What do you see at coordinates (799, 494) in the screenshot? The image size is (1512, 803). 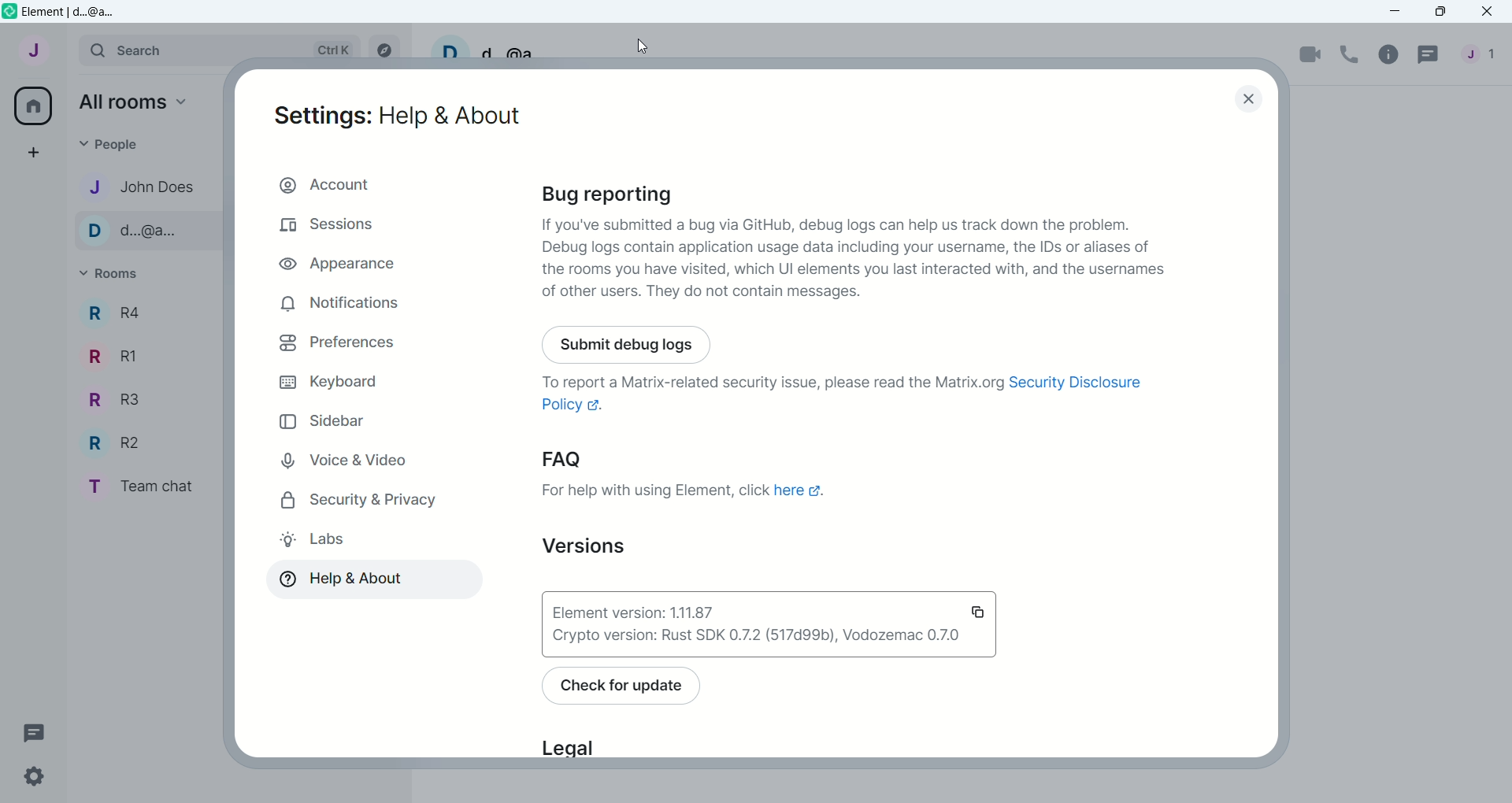 I see `here` at bounding box center [799, 494].